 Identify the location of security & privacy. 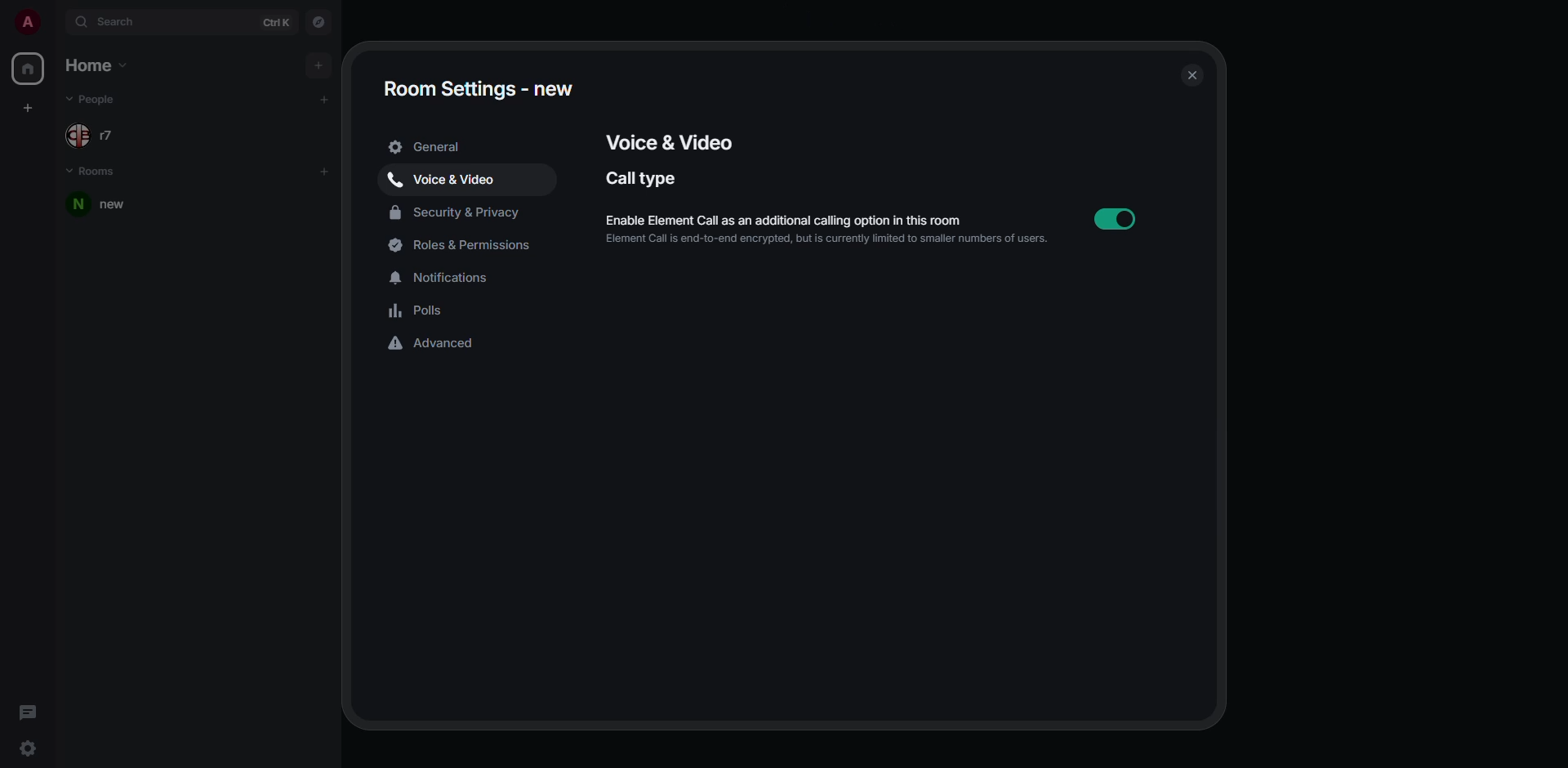
(458, 214).